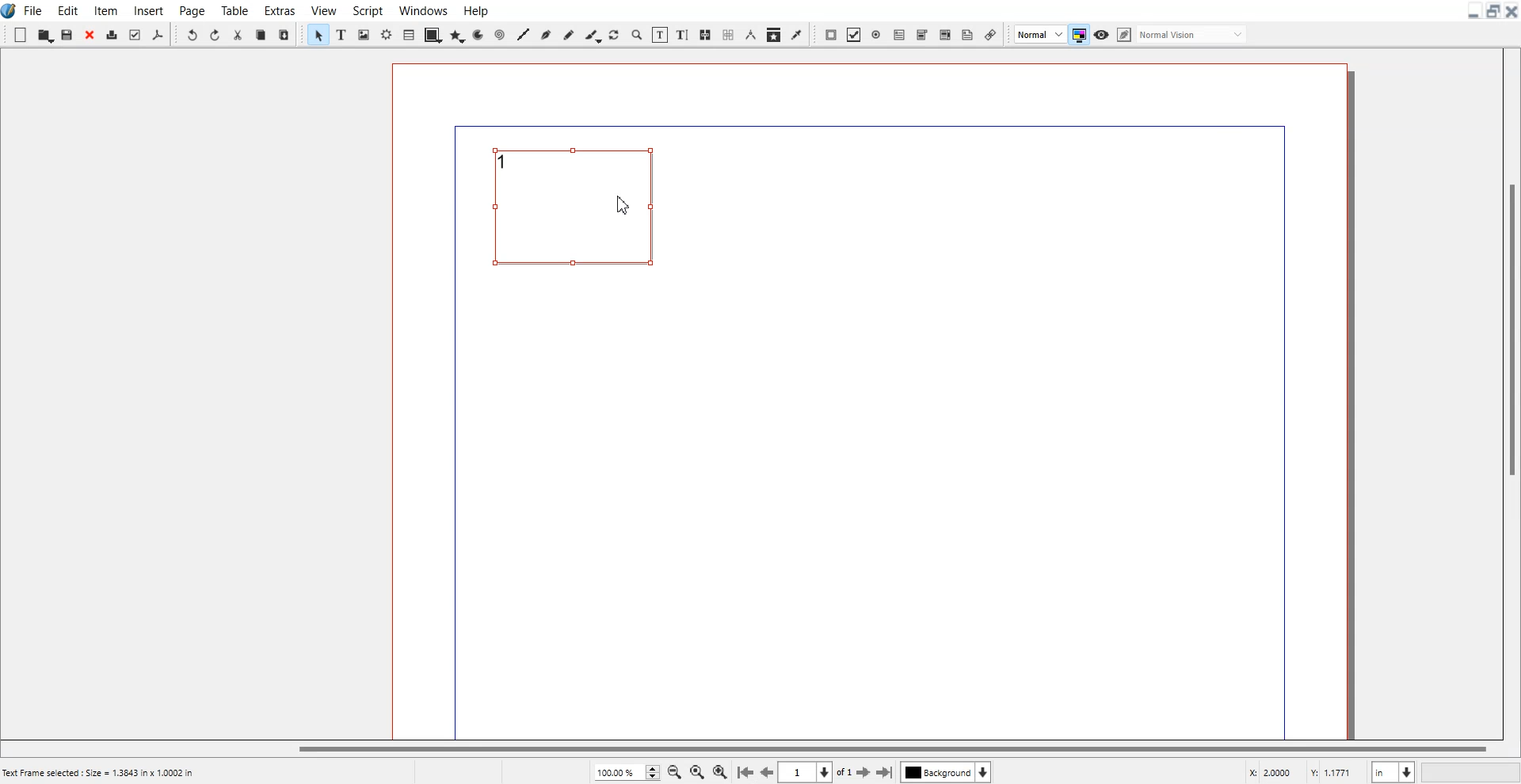 The width and height of the screenshot is (1521, 784). What do you see at coordinates (363, 34) in the screenshot?
I see `Image frame` at bounding box center [363, 34].